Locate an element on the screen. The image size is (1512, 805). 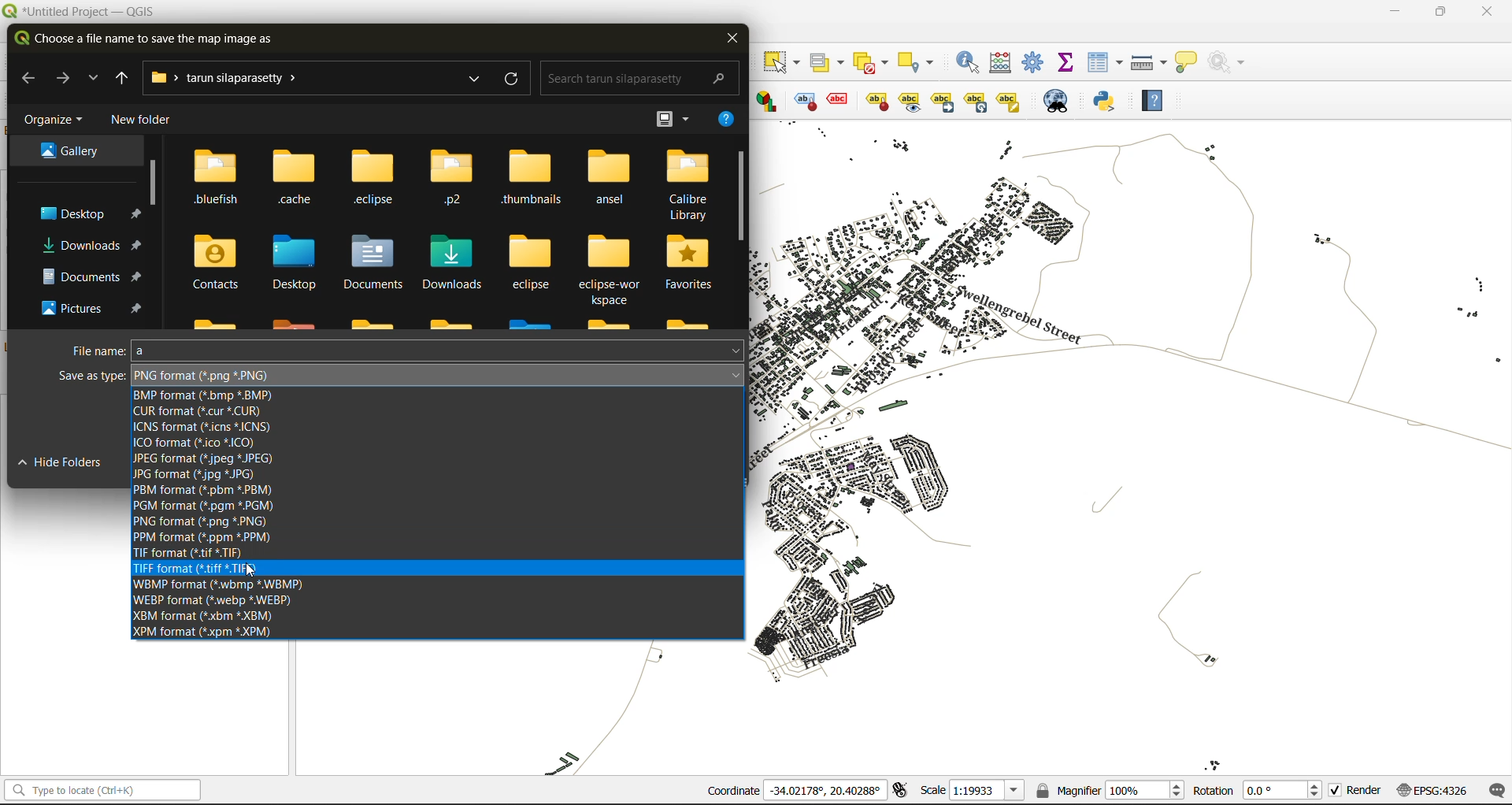
Layer diagram options is located at coordinates (768, 101).